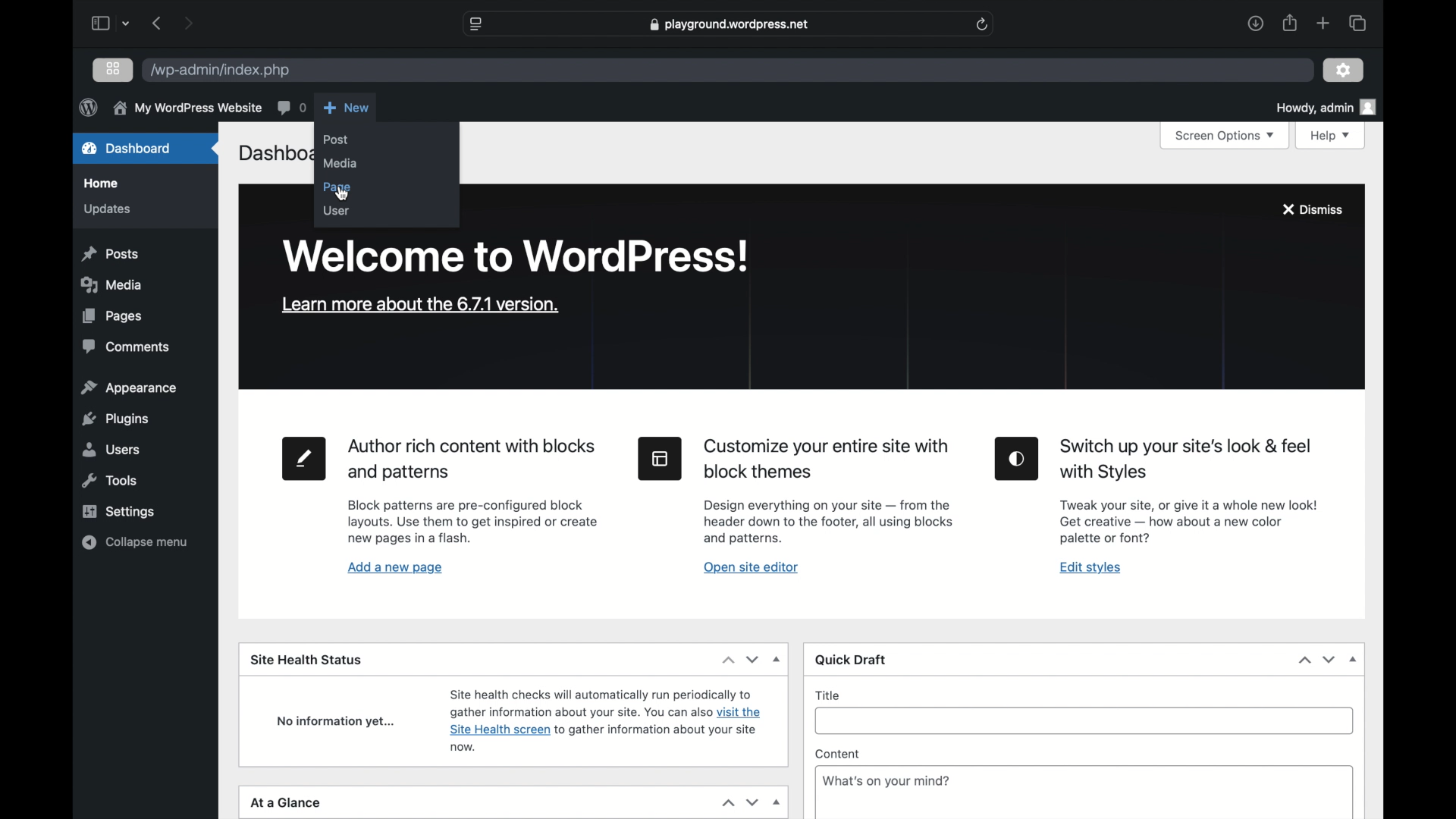 The width and height of the screenshot is (1456, 819). What do you see at coordinates (1255, 23) in the screenshot?
I see `downloads` at bounding box center [1255, 23].